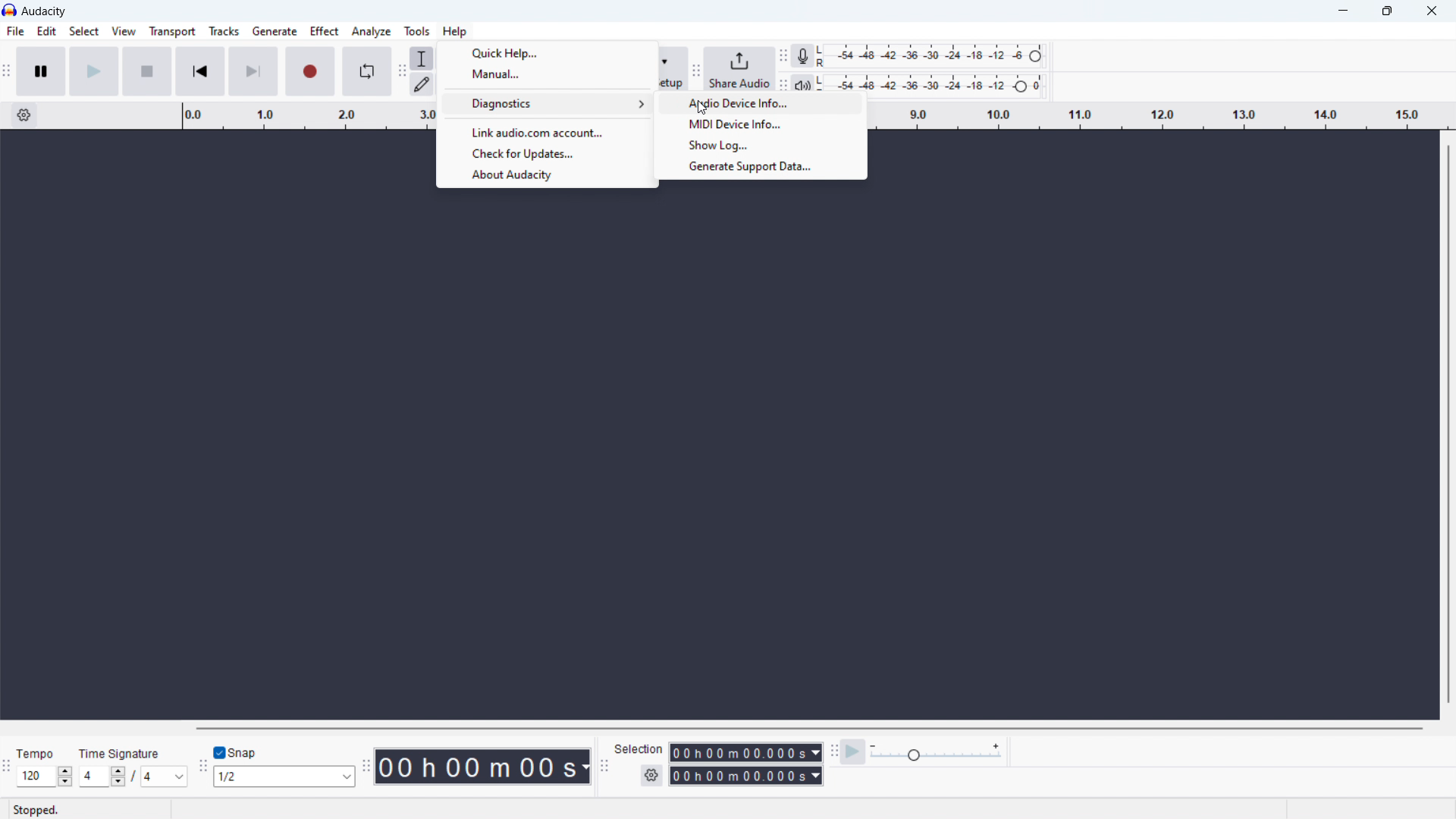 The width and height of the screenshot is (1456, 819). Describe the element at coordinates (701, 67) in the screenshot. I see `share audio toolbar` at that location.